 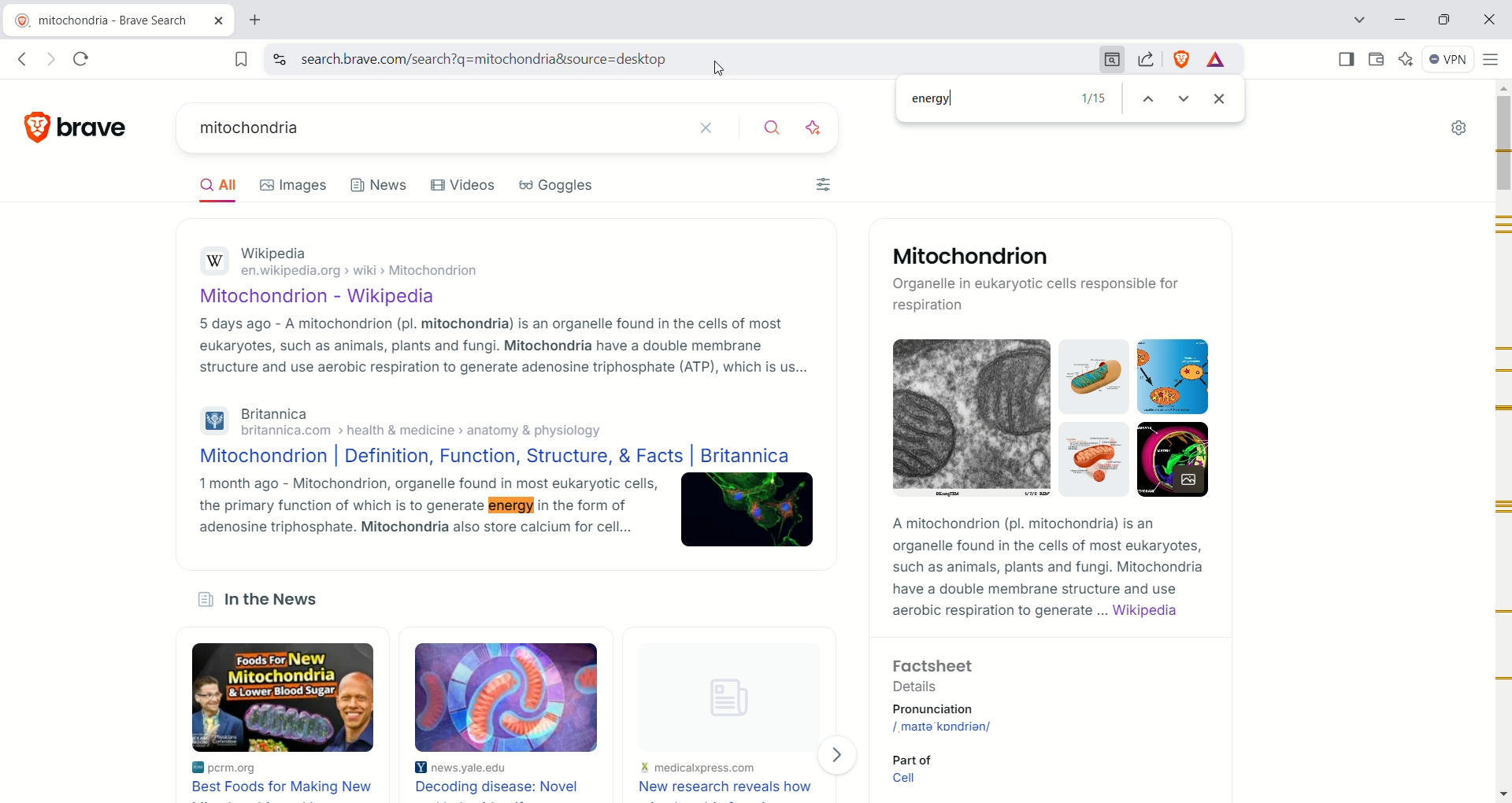 I want to click on A mitochondrion (pl. mitochondria) Is an organelle found in the cells of most eukaryotes, such as animals, plants and fungi. Mitochondria have a double membrane structure and use, so click(x=1061, y=558).